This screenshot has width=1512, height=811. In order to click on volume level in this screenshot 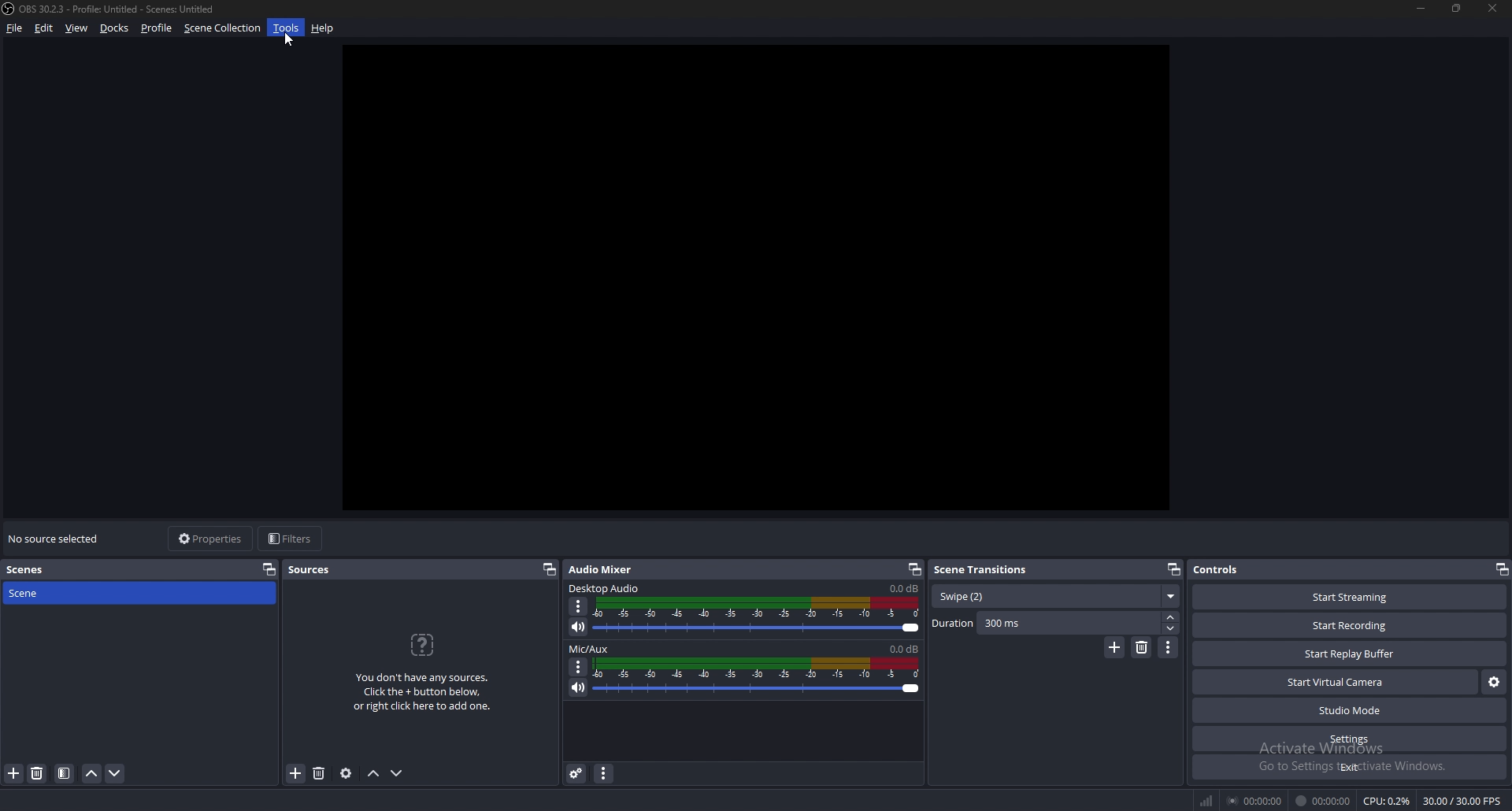, I will do `click(904, 589)`.